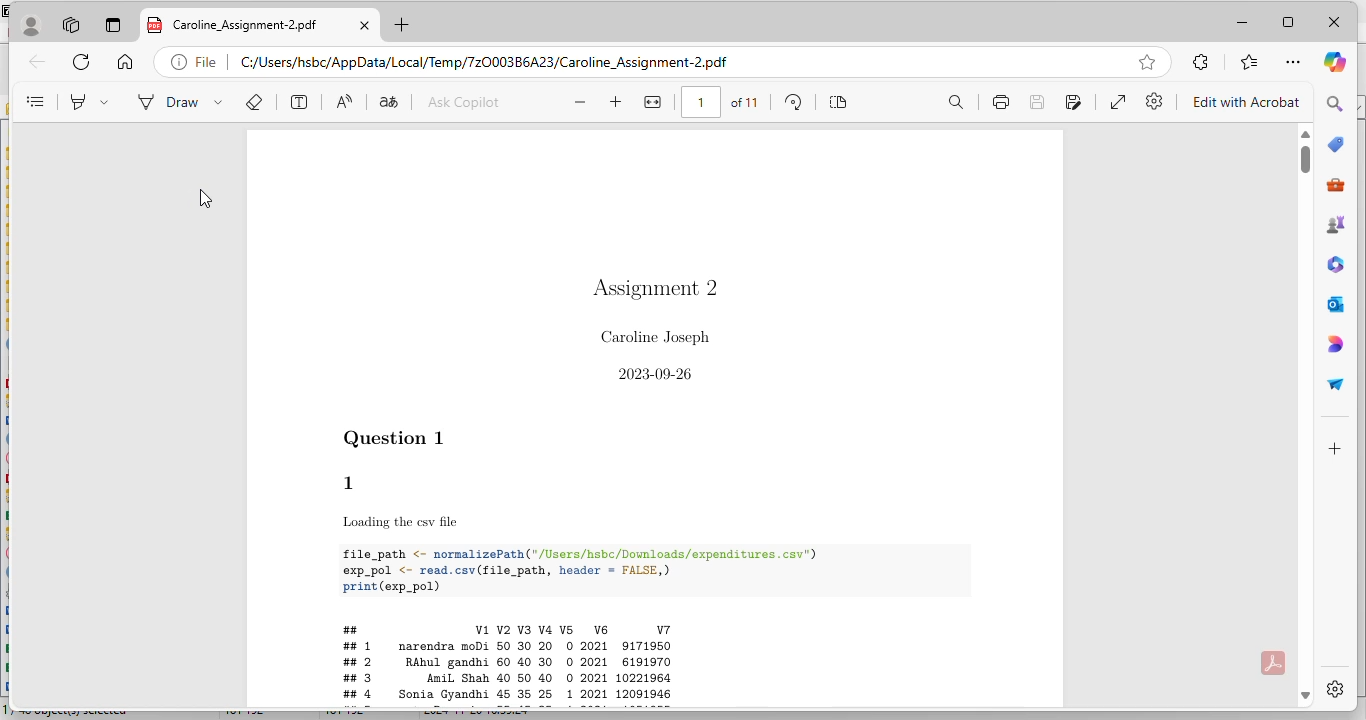  I want to click on personal, so click(32, 25).